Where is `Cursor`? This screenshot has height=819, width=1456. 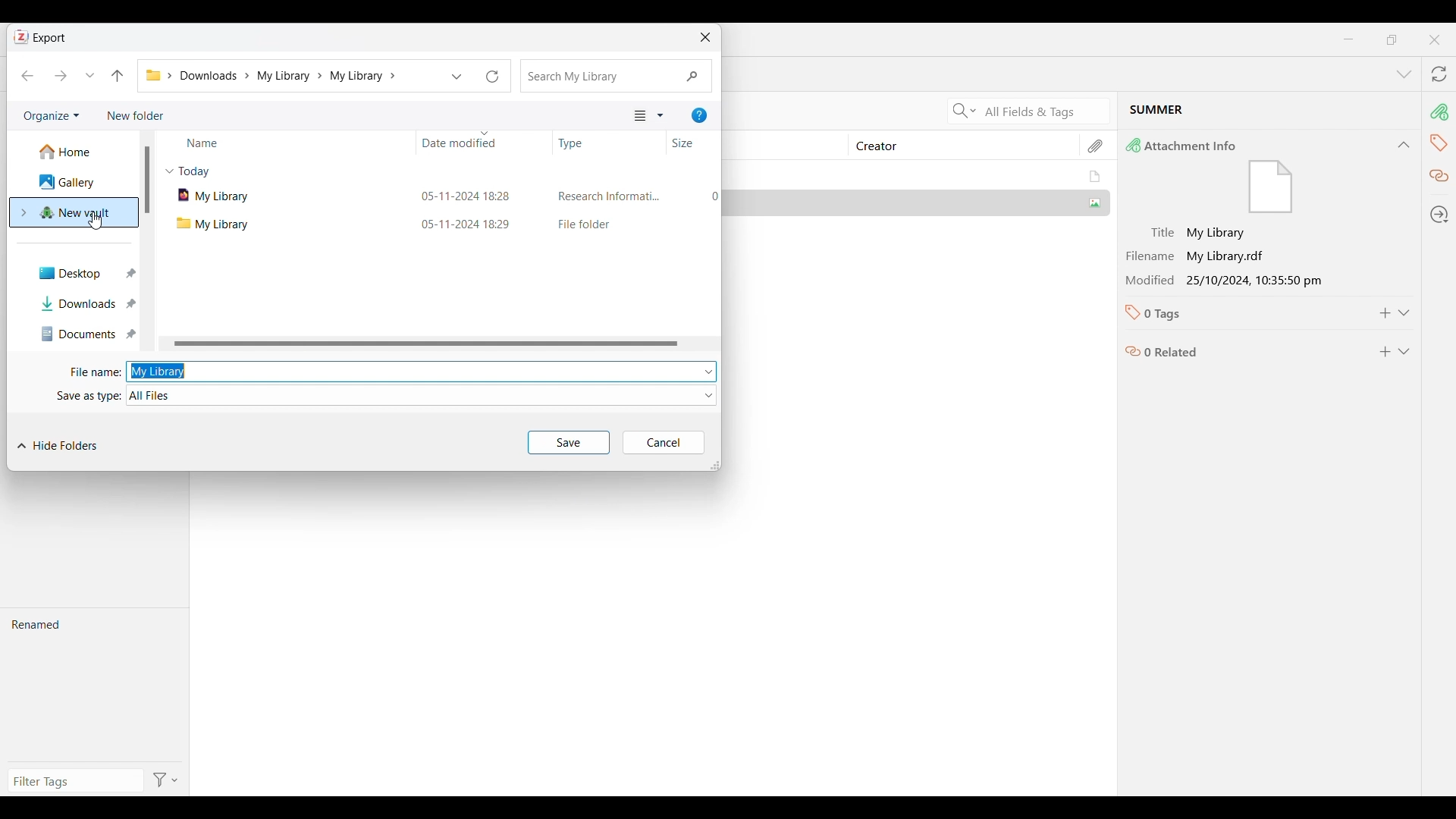
Cursor is located at coordinates (96, 221).